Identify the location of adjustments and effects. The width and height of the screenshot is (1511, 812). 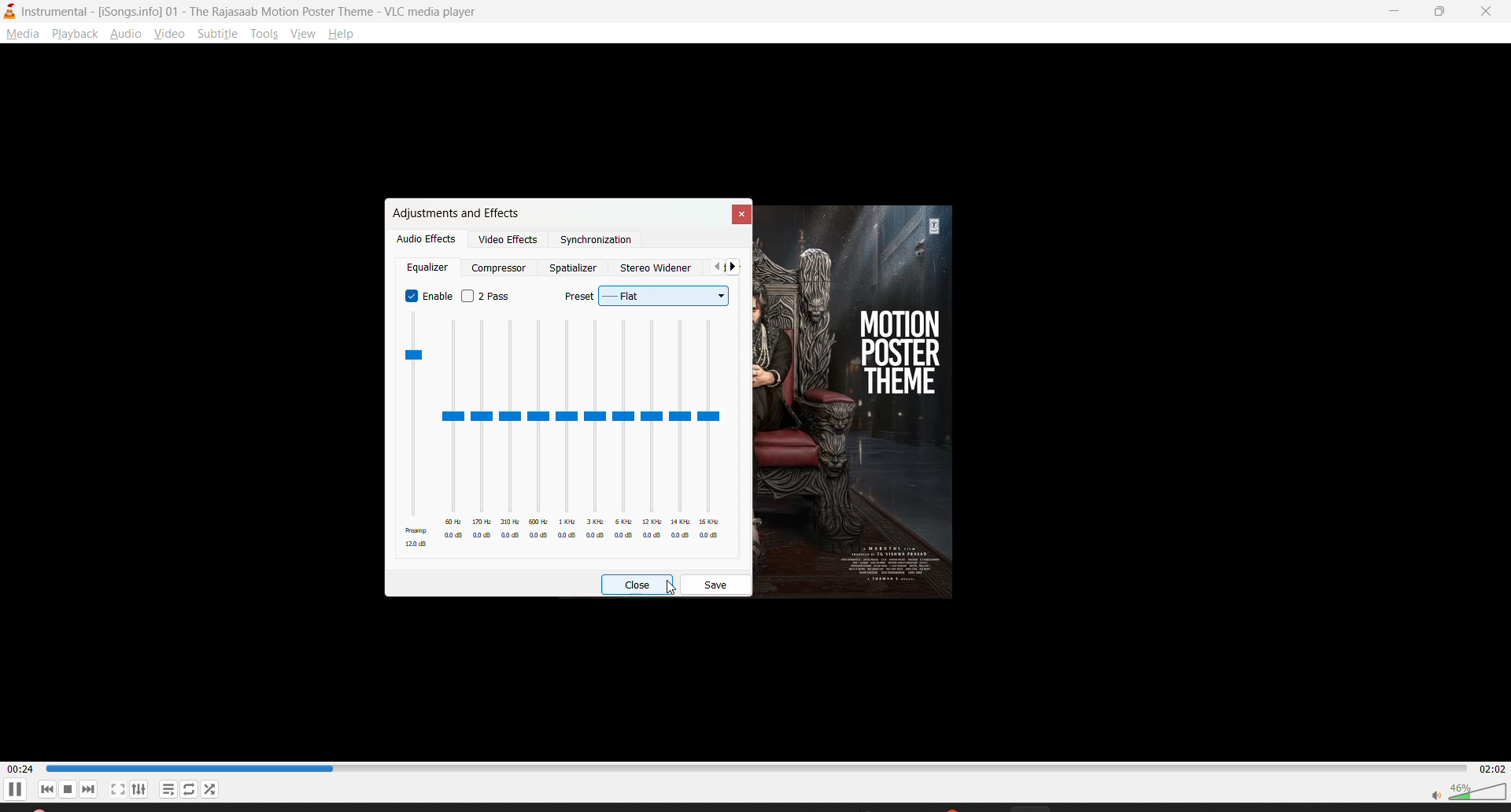
(456, 212).